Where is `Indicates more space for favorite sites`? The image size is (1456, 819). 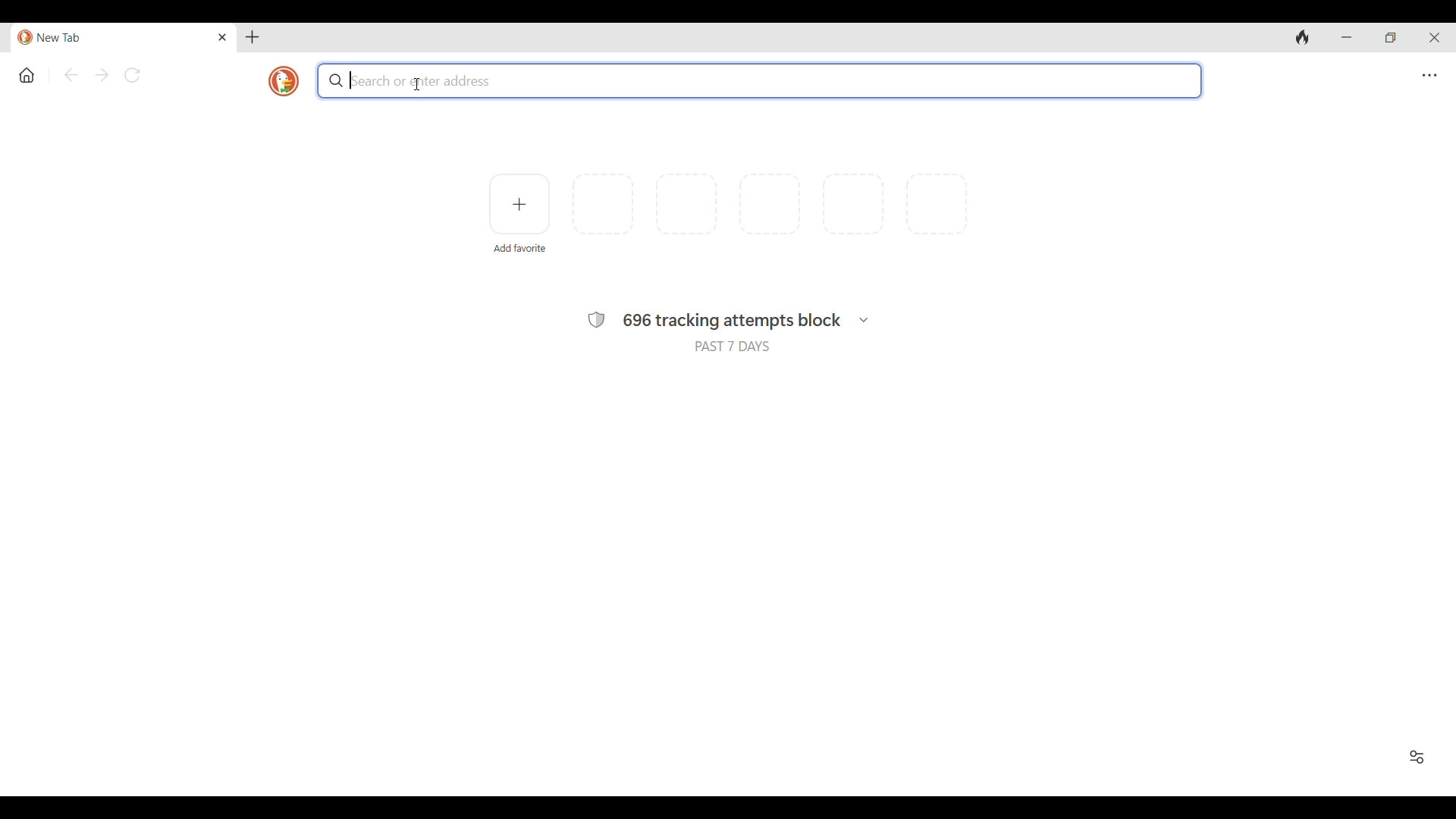
Indicates more space for favorite sites is located at coordinates (770, 204).